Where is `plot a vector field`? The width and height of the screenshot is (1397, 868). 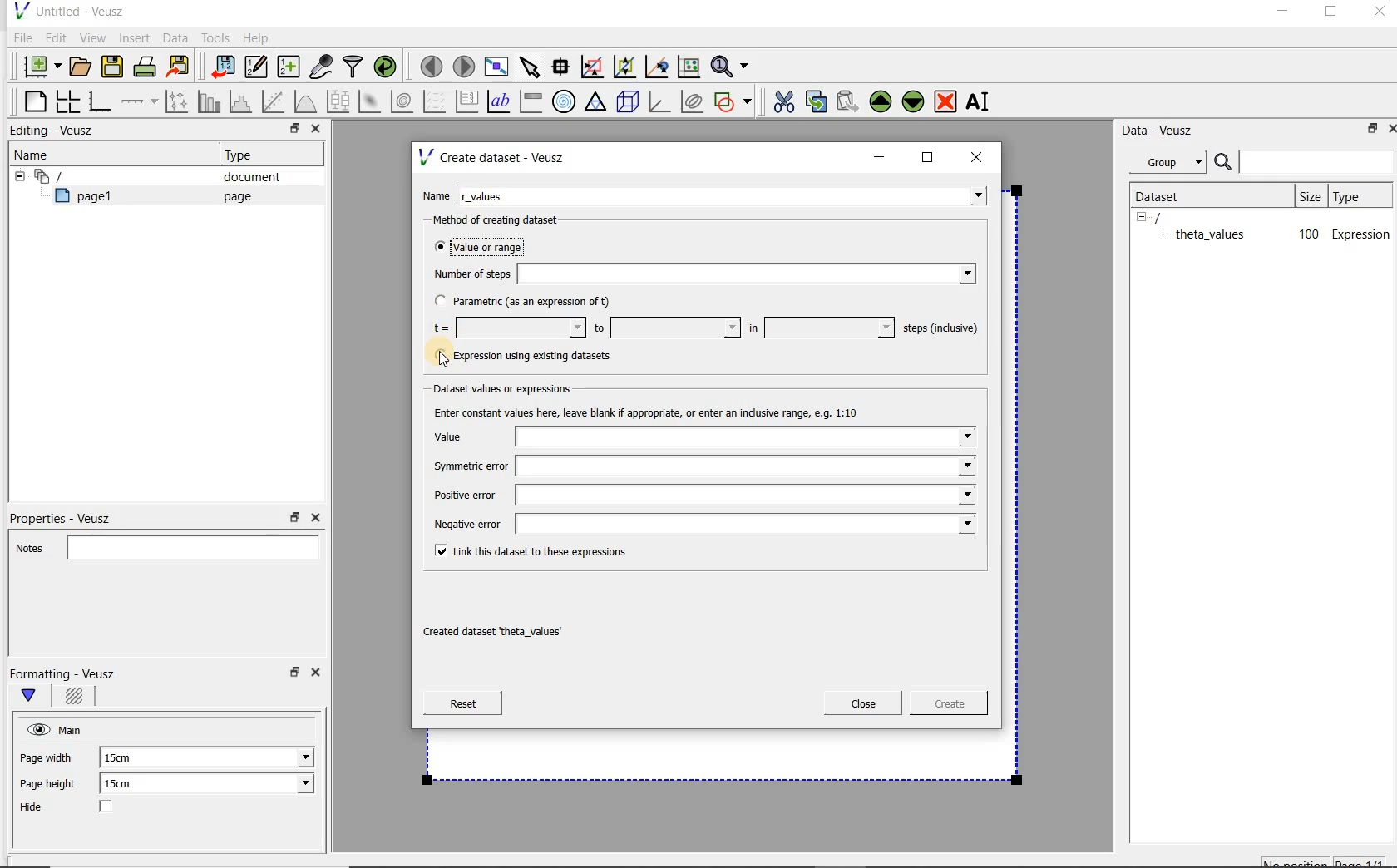 plot a vector field is located at coordinates (435, 100).